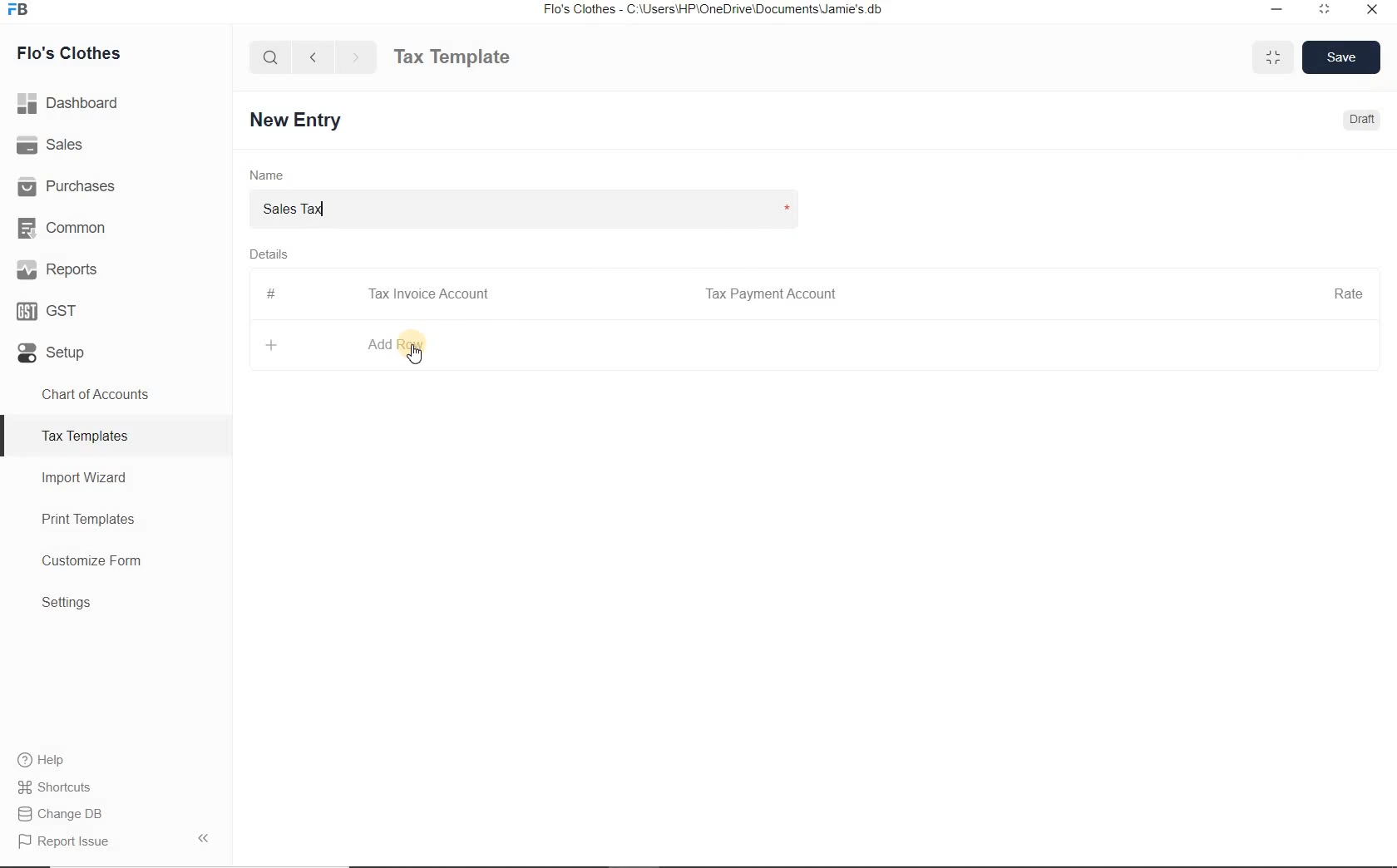 The image size is (1397, 868). What do you see at coordinates (537, 206) in the screenshot?
I see `Sales Tax` at bounding box center [537, 206].